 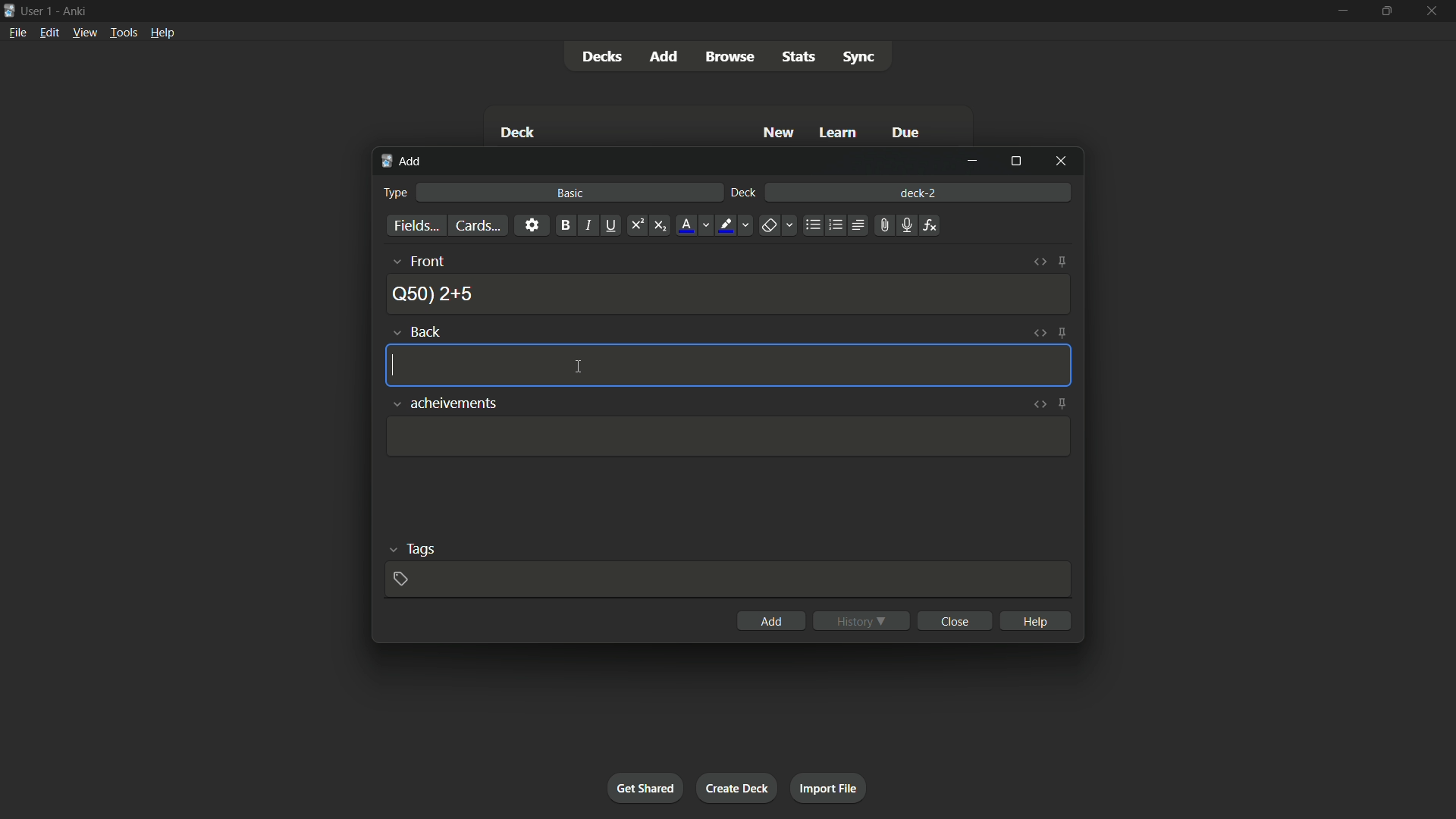 I want to click on close app, so click(x=1434, y=11).